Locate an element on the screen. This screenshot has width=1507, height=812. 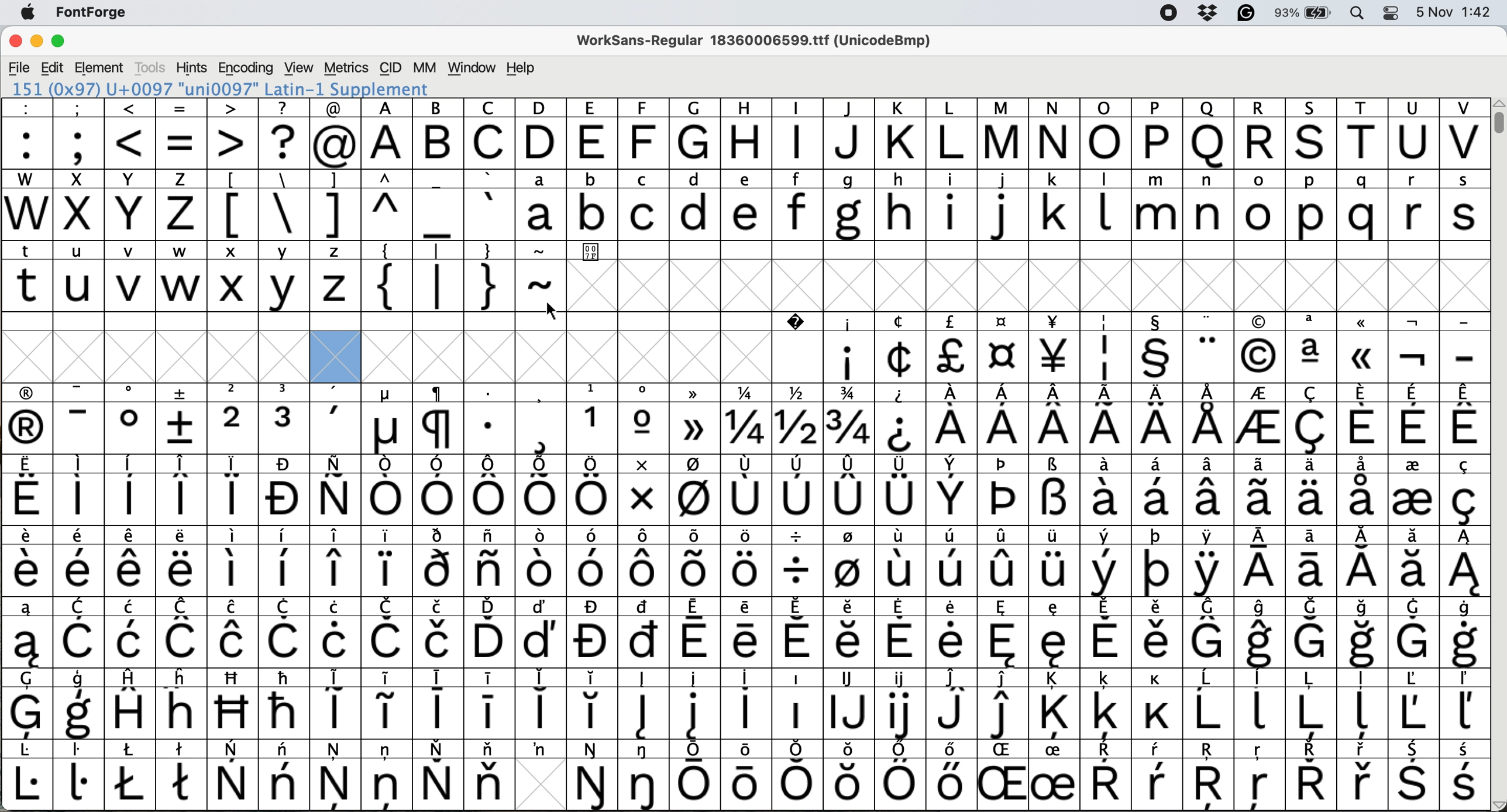
symbol is located at coordinates (130, 775).